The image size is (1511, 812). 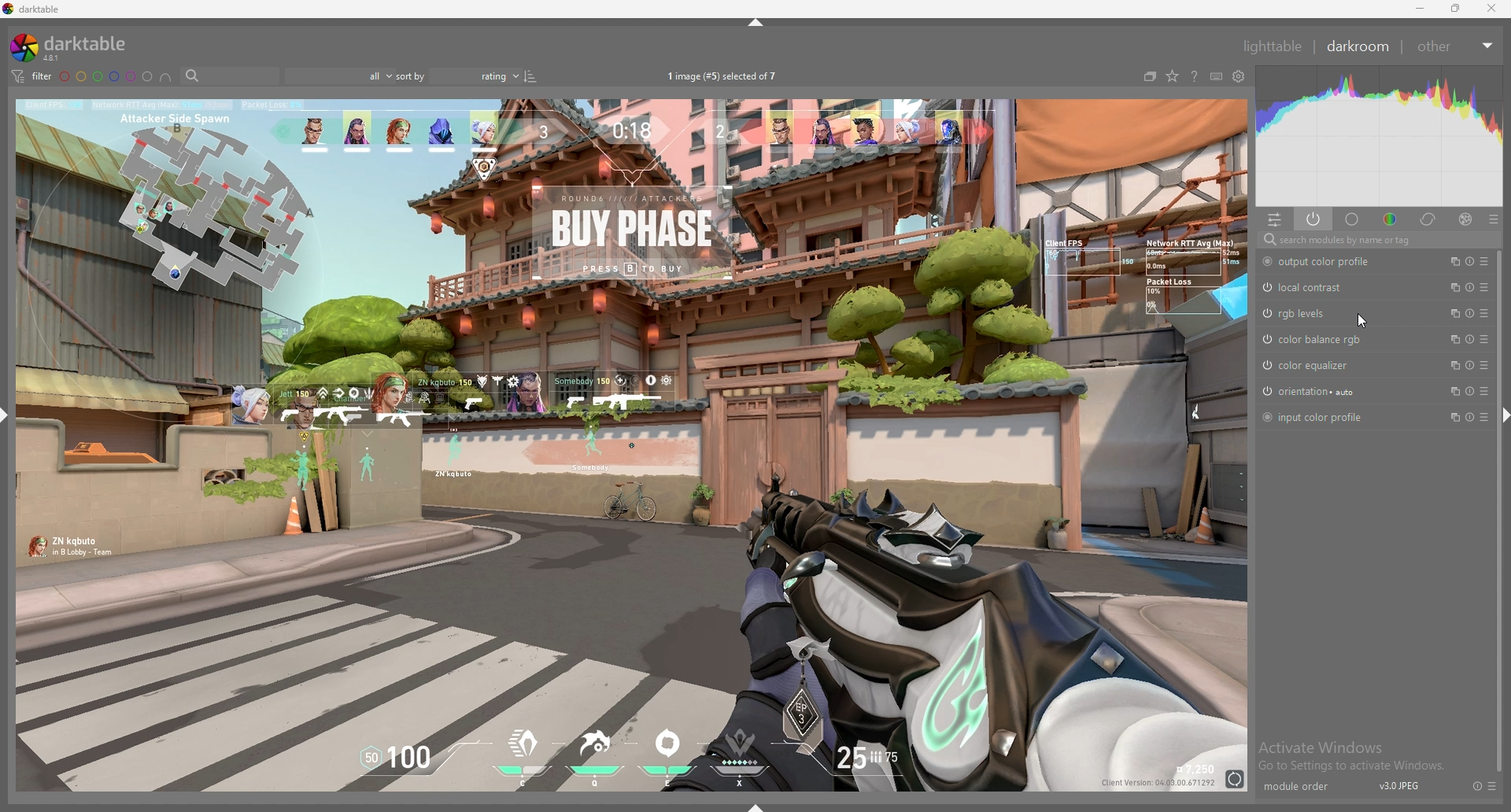 I want to click on effect, so click(x=1461, y=219).